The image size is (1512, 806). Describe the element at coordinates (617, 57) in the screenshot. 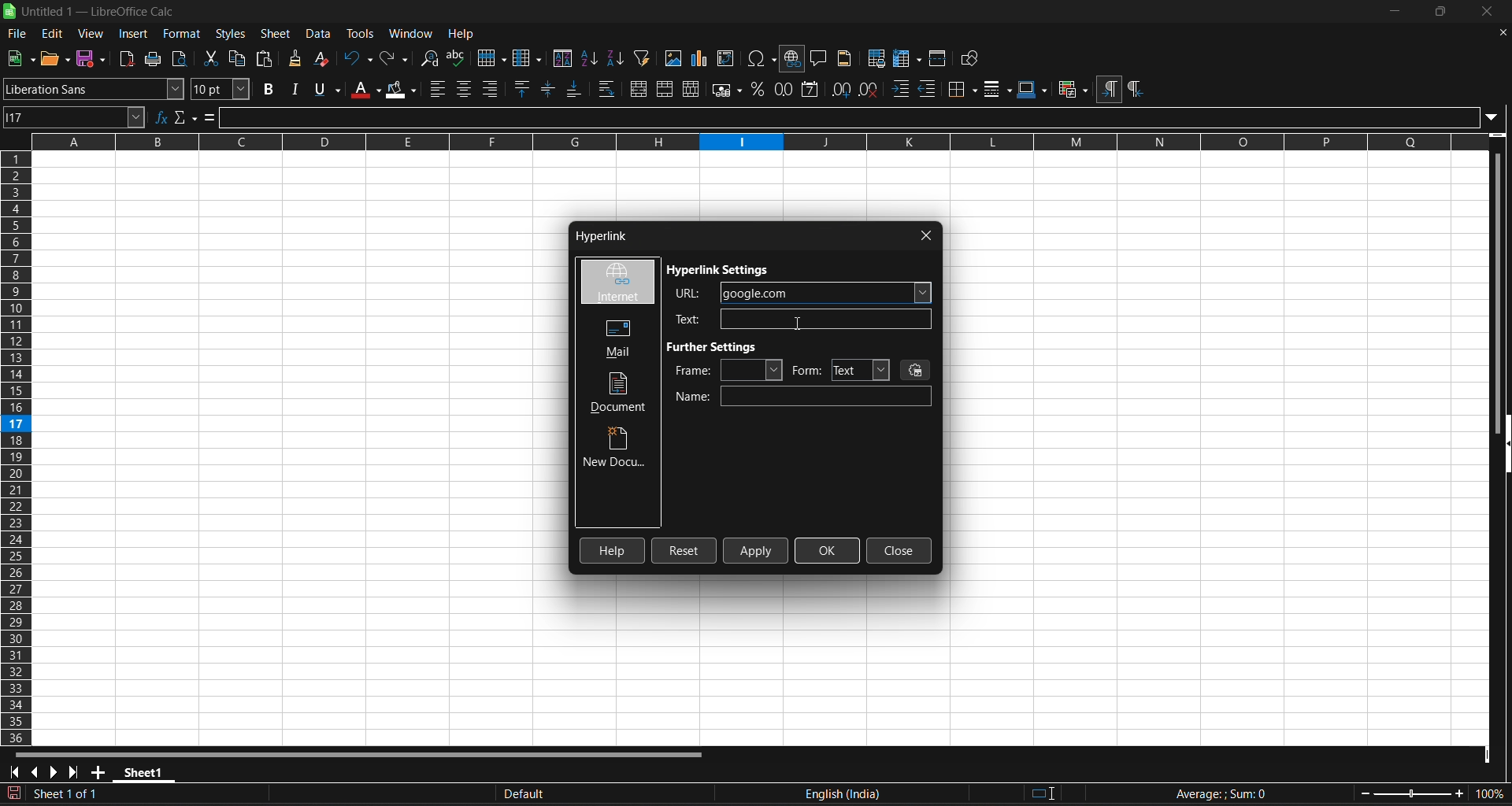

I see `sort descending` at that location.